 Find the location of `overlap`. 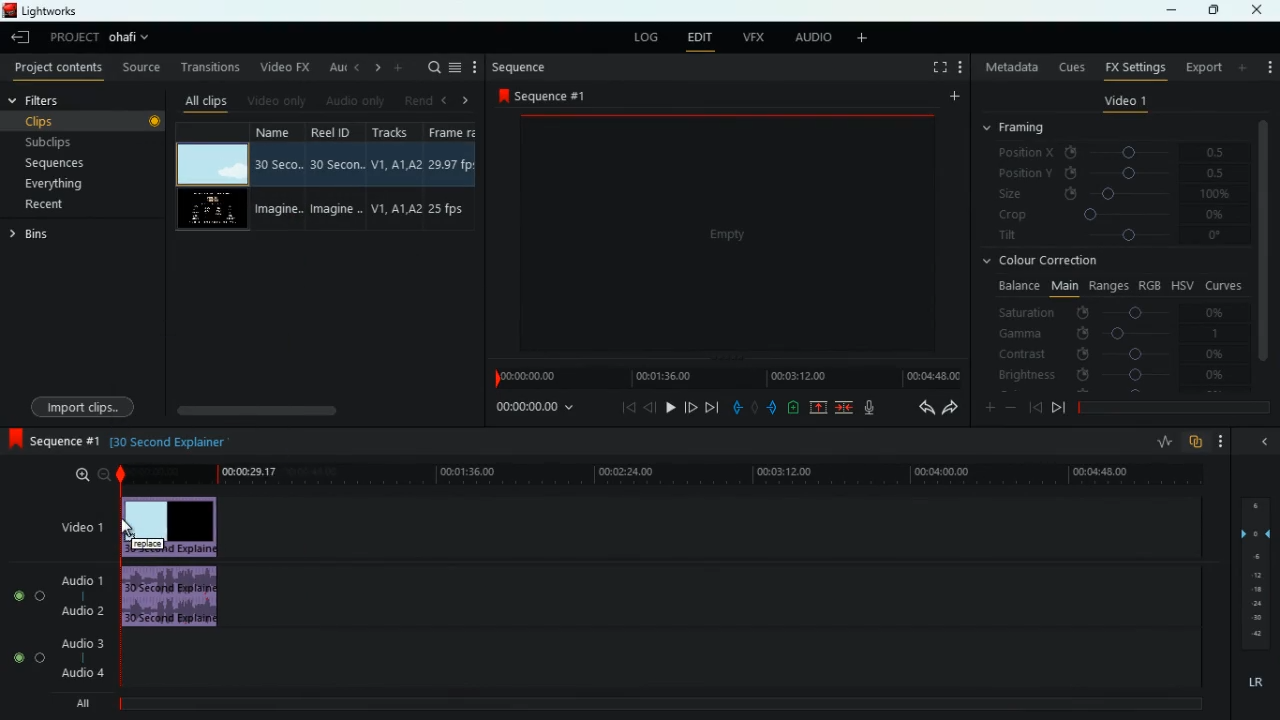

overlap is located at coordinates (1196, 443).